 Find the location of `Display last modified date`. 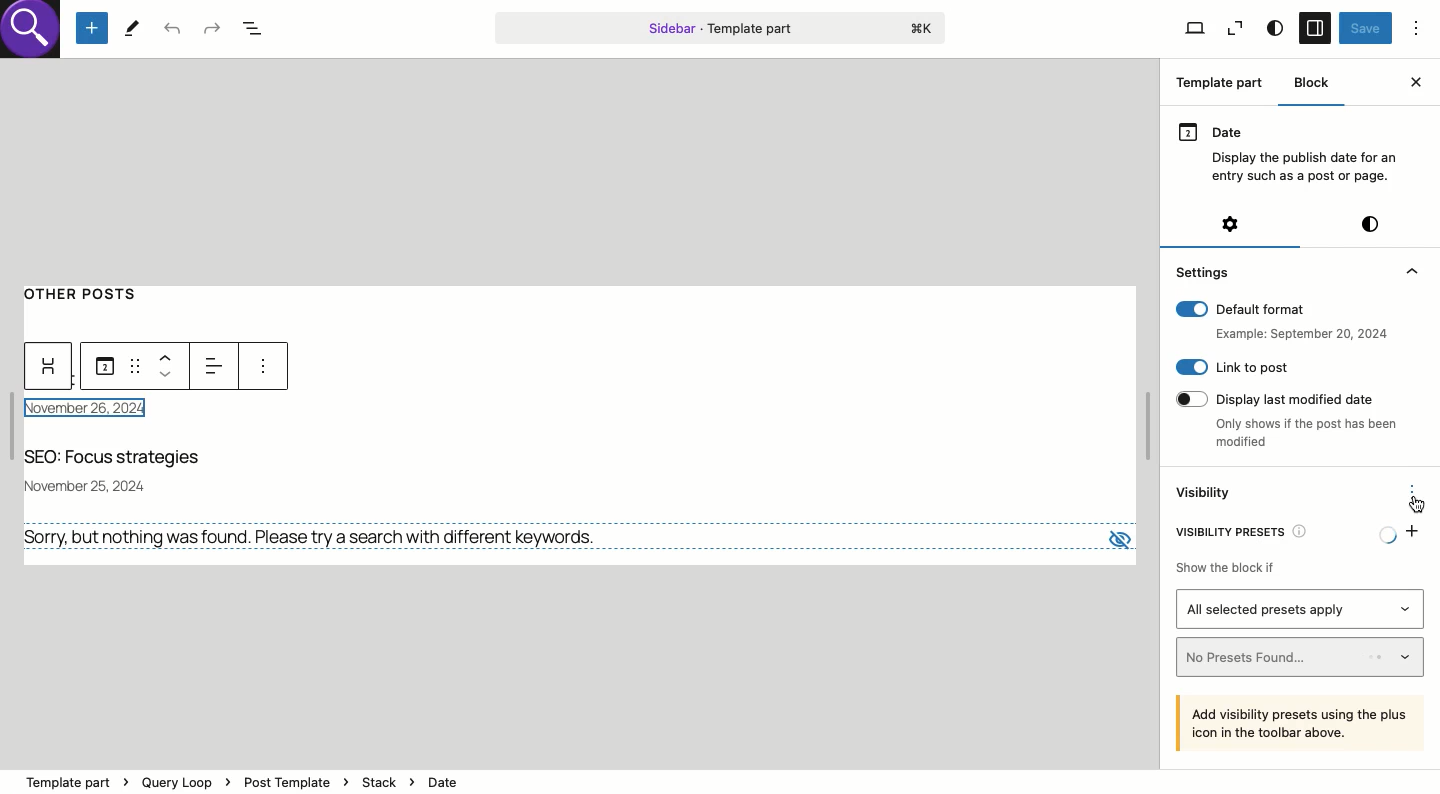

Display last modified date is located at coordinates (1285, 397).